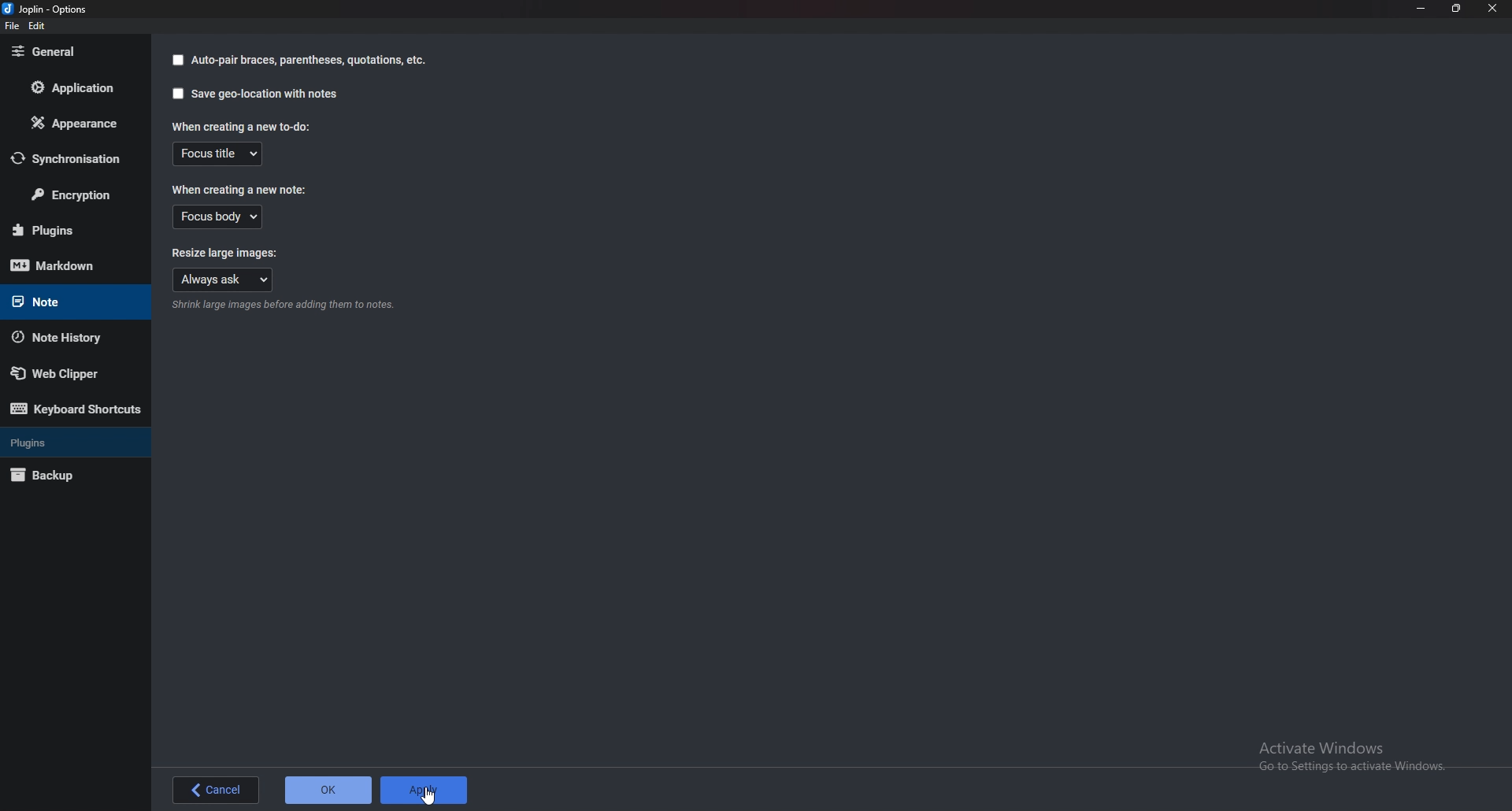  I want to click on Resize large images, so click(233, 255).